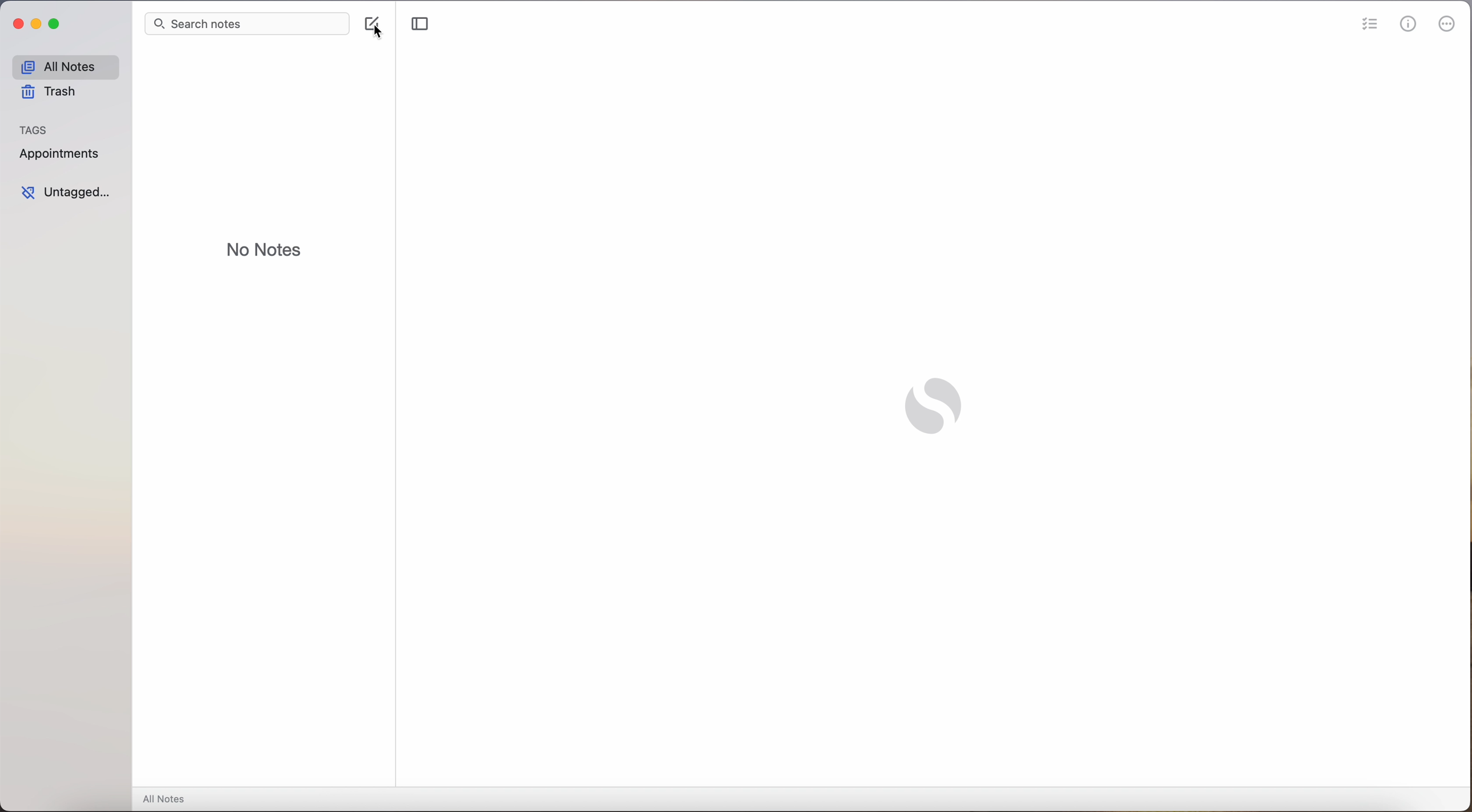 The height and width of the screenshot is (812, 1472). I want to click on check list, so click(1371, 26).